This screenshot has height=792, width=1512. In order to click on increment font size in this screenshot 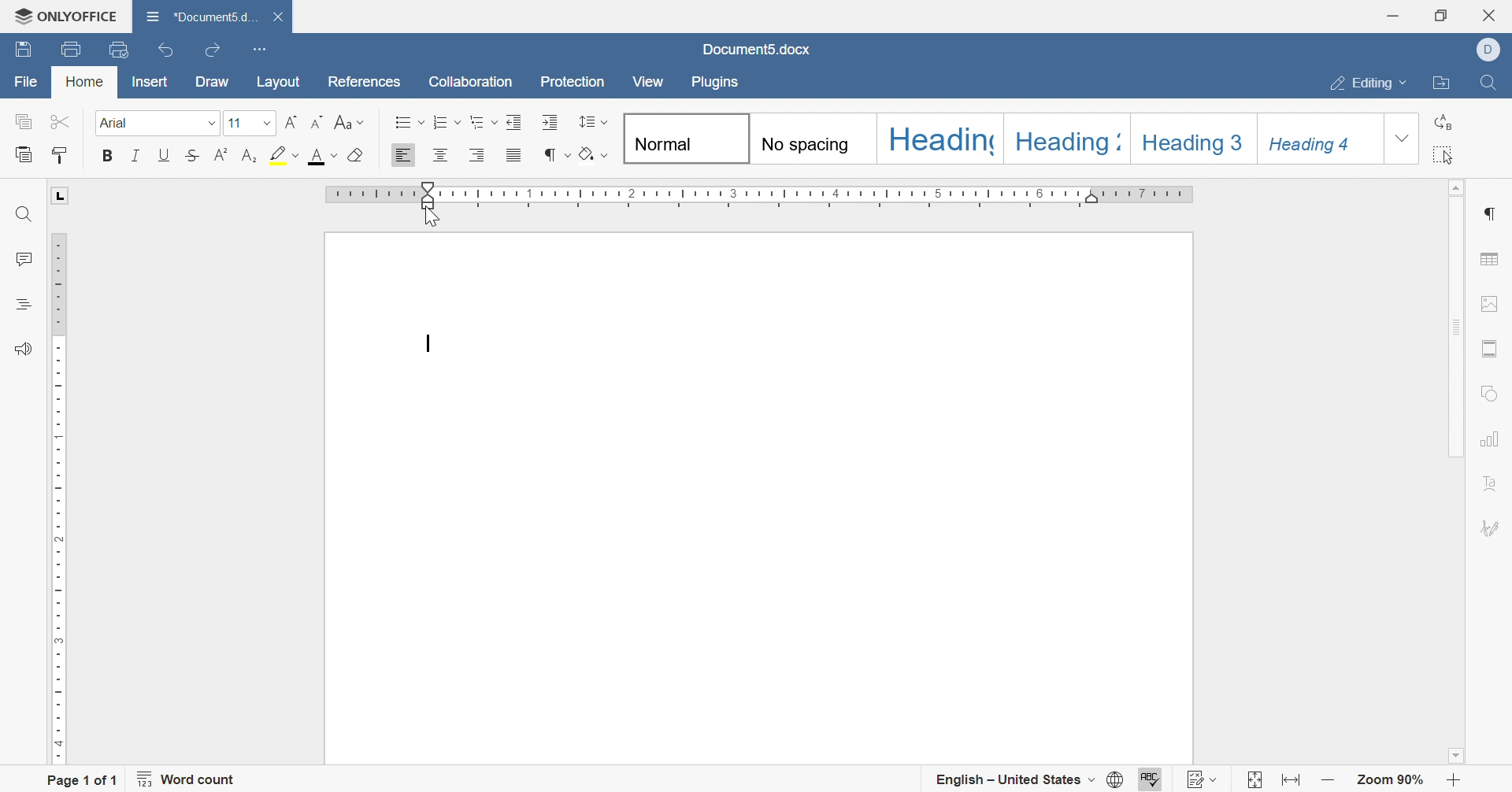, I will do `click(291, 120)`.